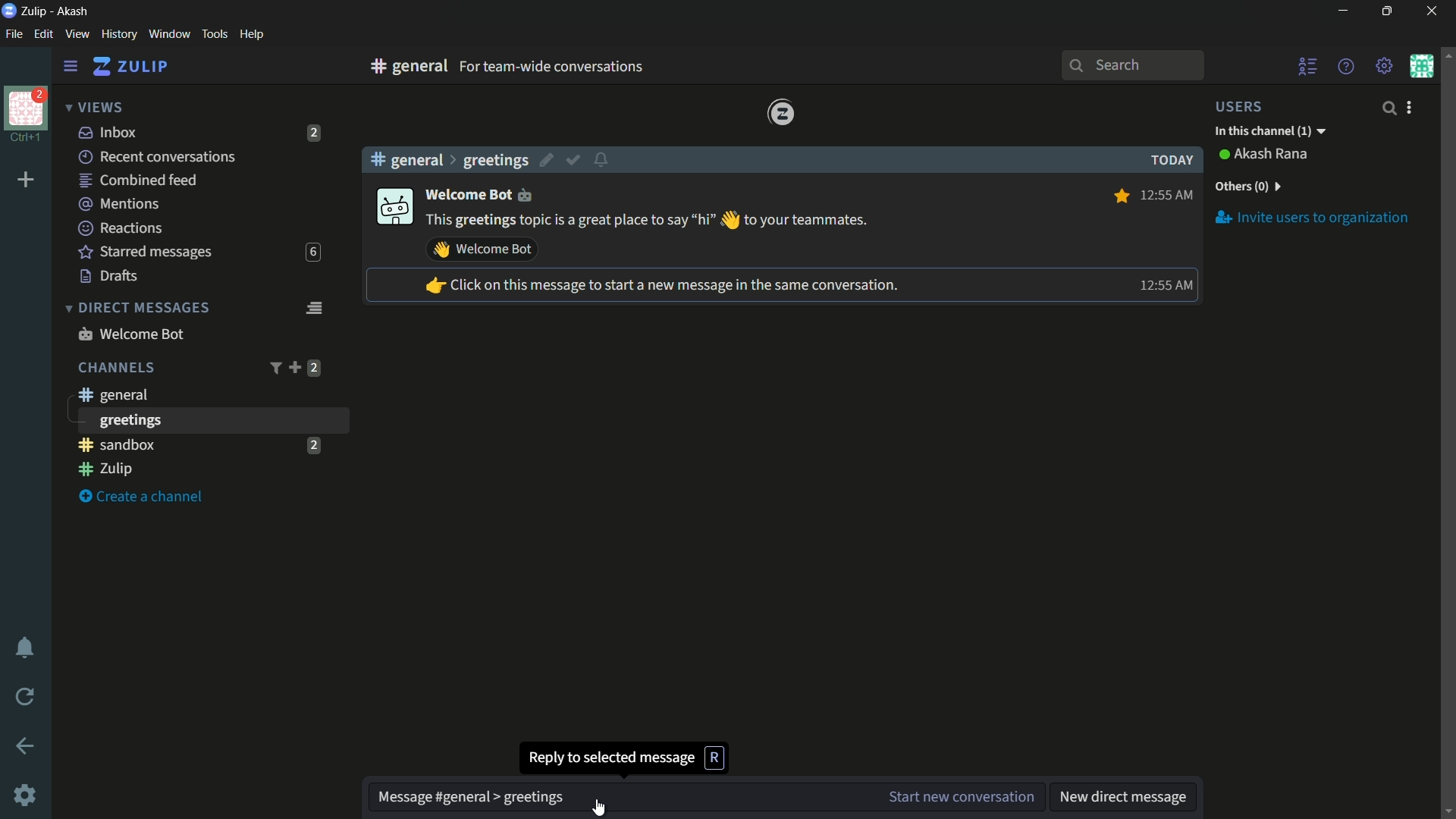 The width and height of the screenshot is (1456, 819). I want to click on scroll down, so click(1447, 811).